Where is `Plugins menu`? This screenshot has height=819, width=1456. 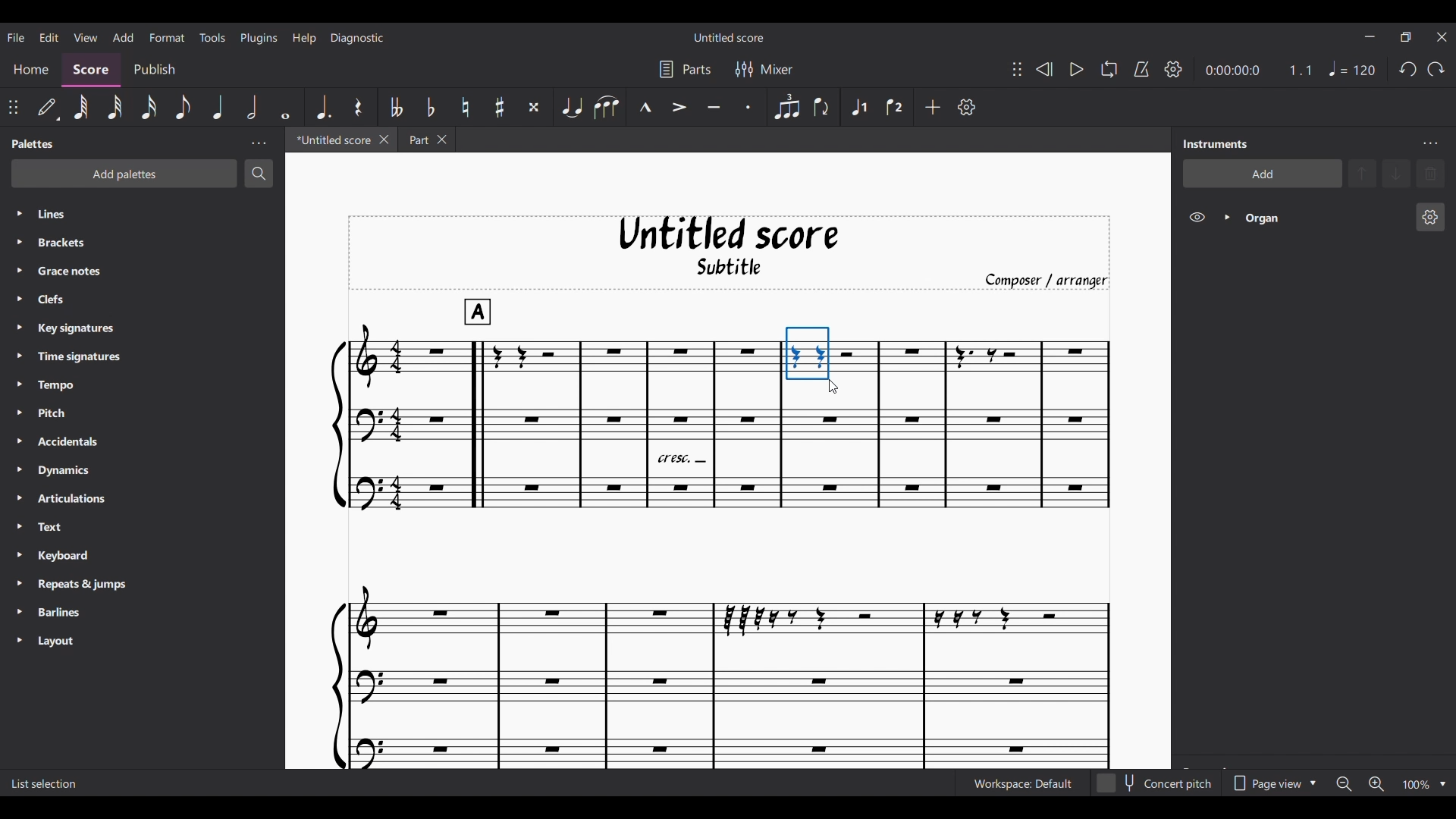 Plugins menu is located at coordinates (259, 36).